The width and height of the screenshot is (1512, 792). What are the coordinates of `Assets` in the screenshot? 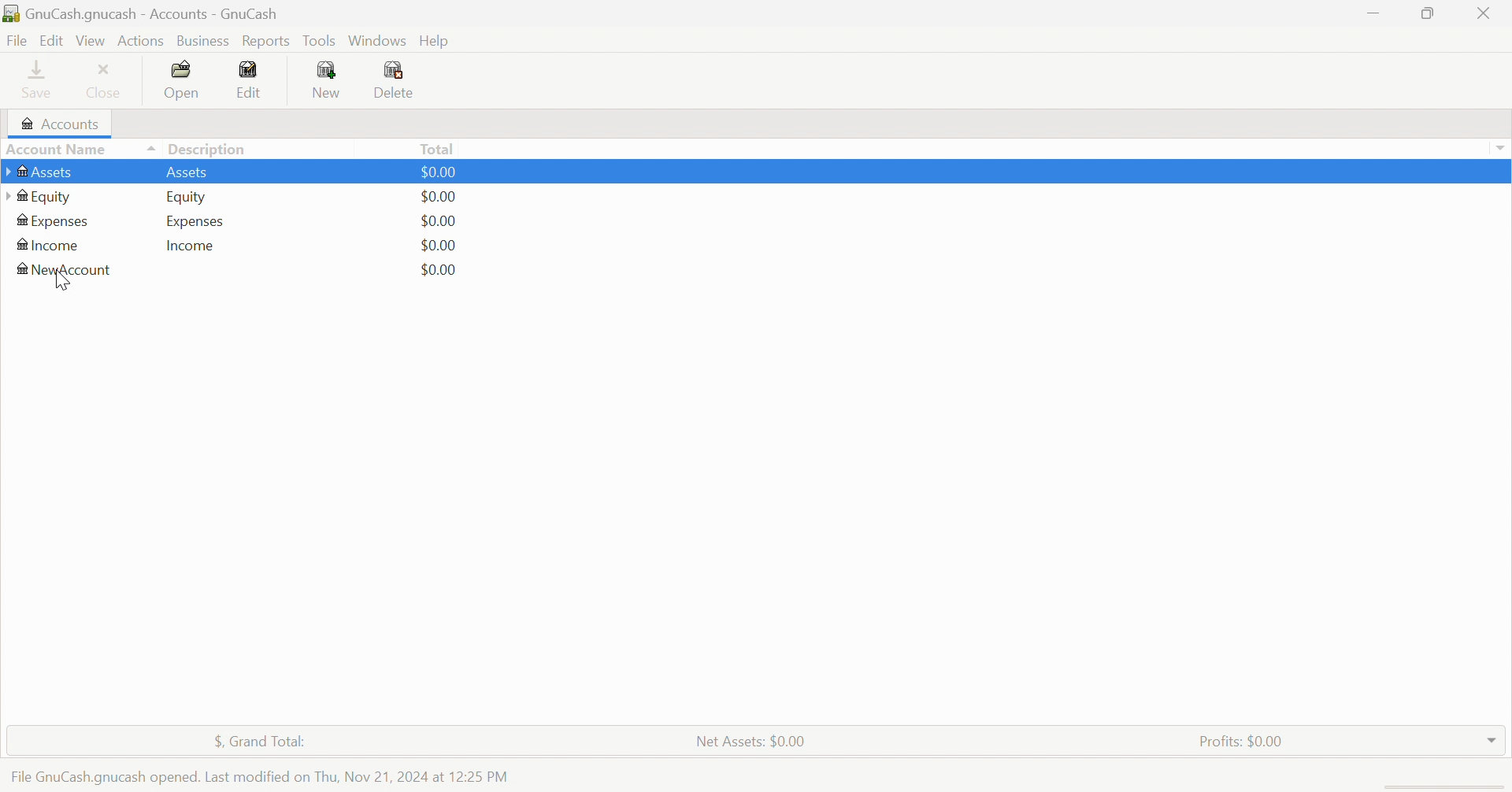 It's located at (191, 173).